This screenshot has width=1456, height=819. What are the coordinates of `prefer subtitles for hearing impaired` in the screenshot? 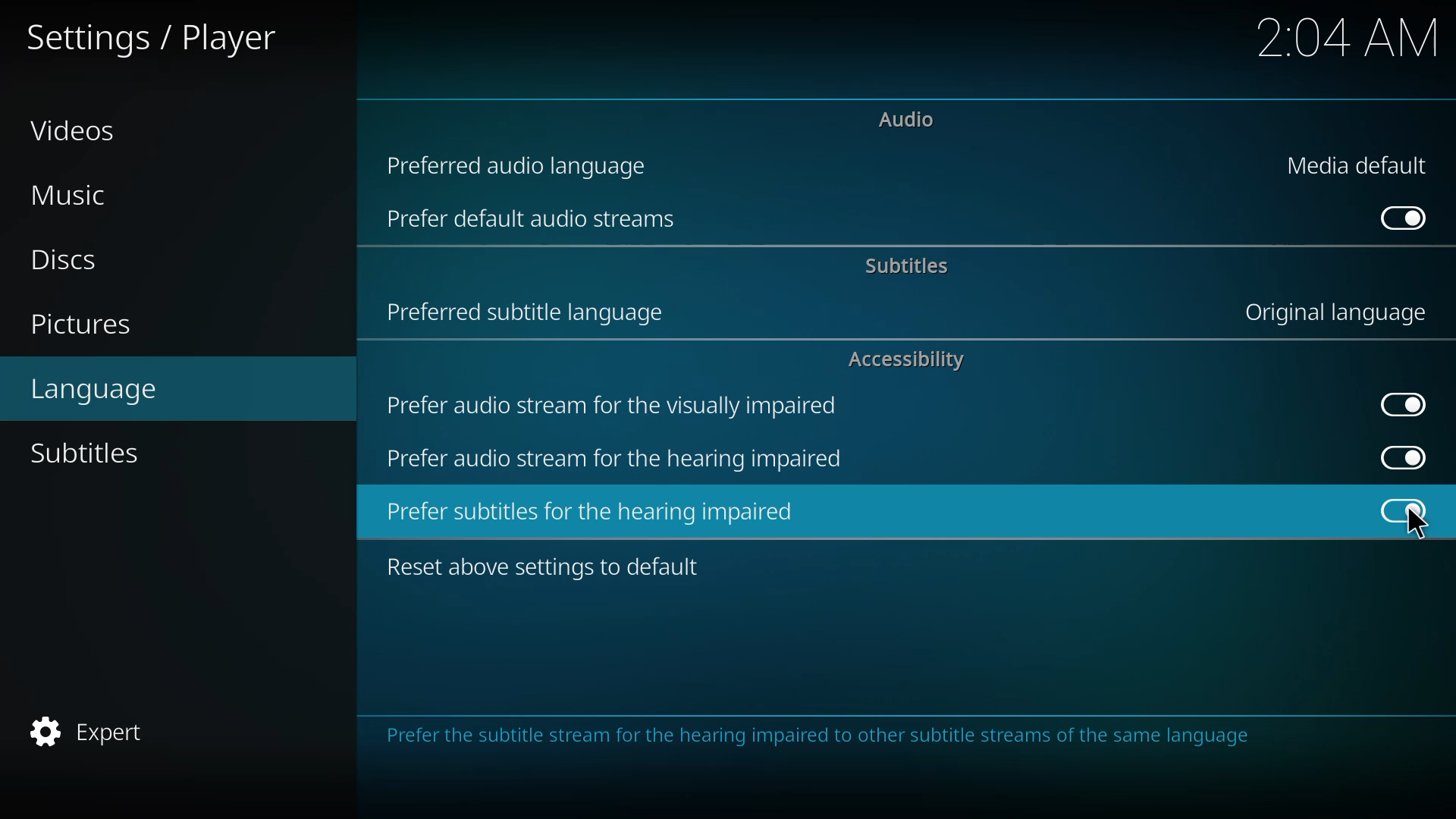 It's located at (595, 510).